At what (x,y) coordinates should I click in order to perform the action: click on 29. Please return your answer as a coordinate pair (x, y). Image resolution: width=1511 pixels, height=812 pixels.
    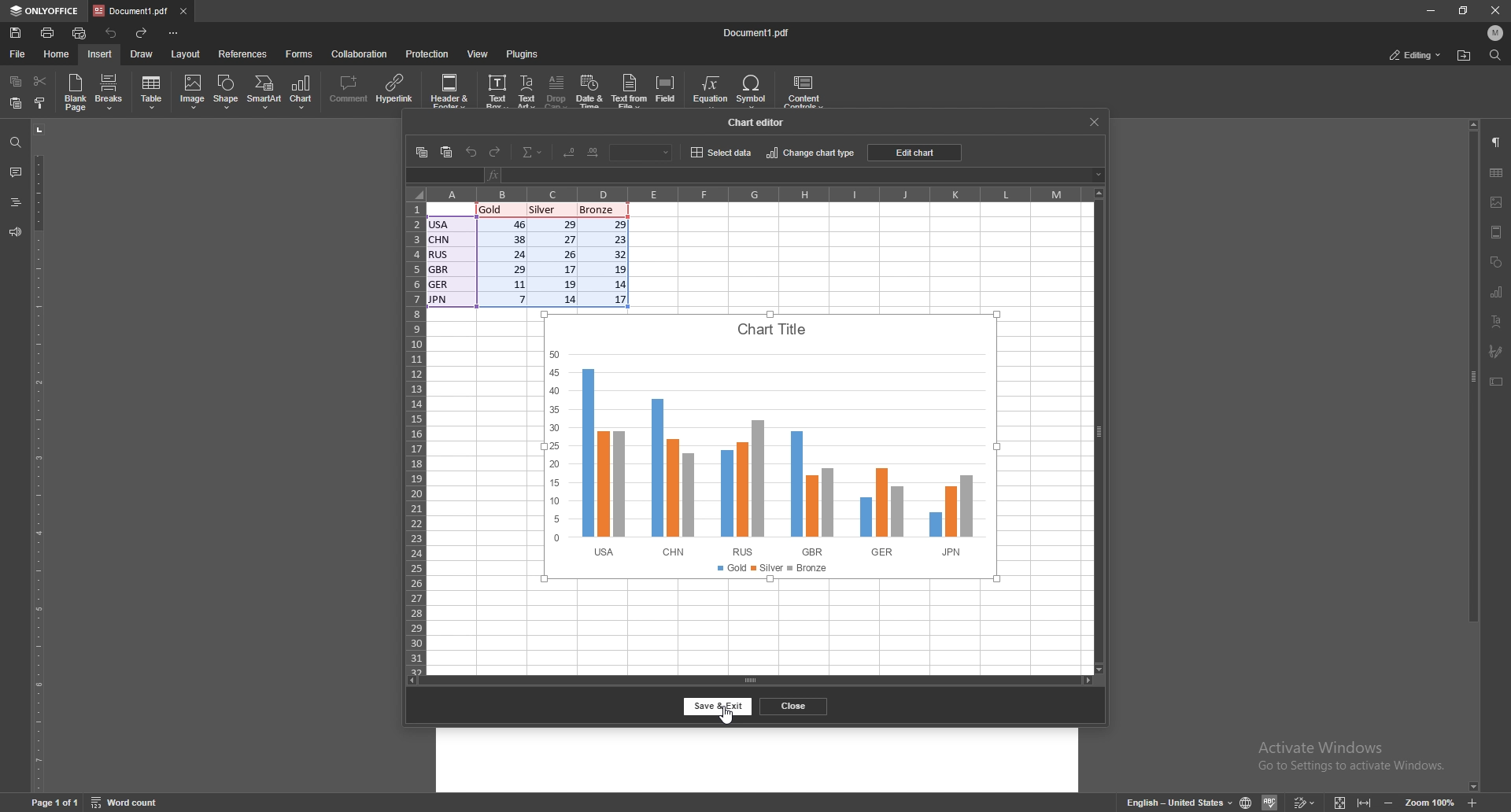
    Looking at the image, I should click on (564, 225).